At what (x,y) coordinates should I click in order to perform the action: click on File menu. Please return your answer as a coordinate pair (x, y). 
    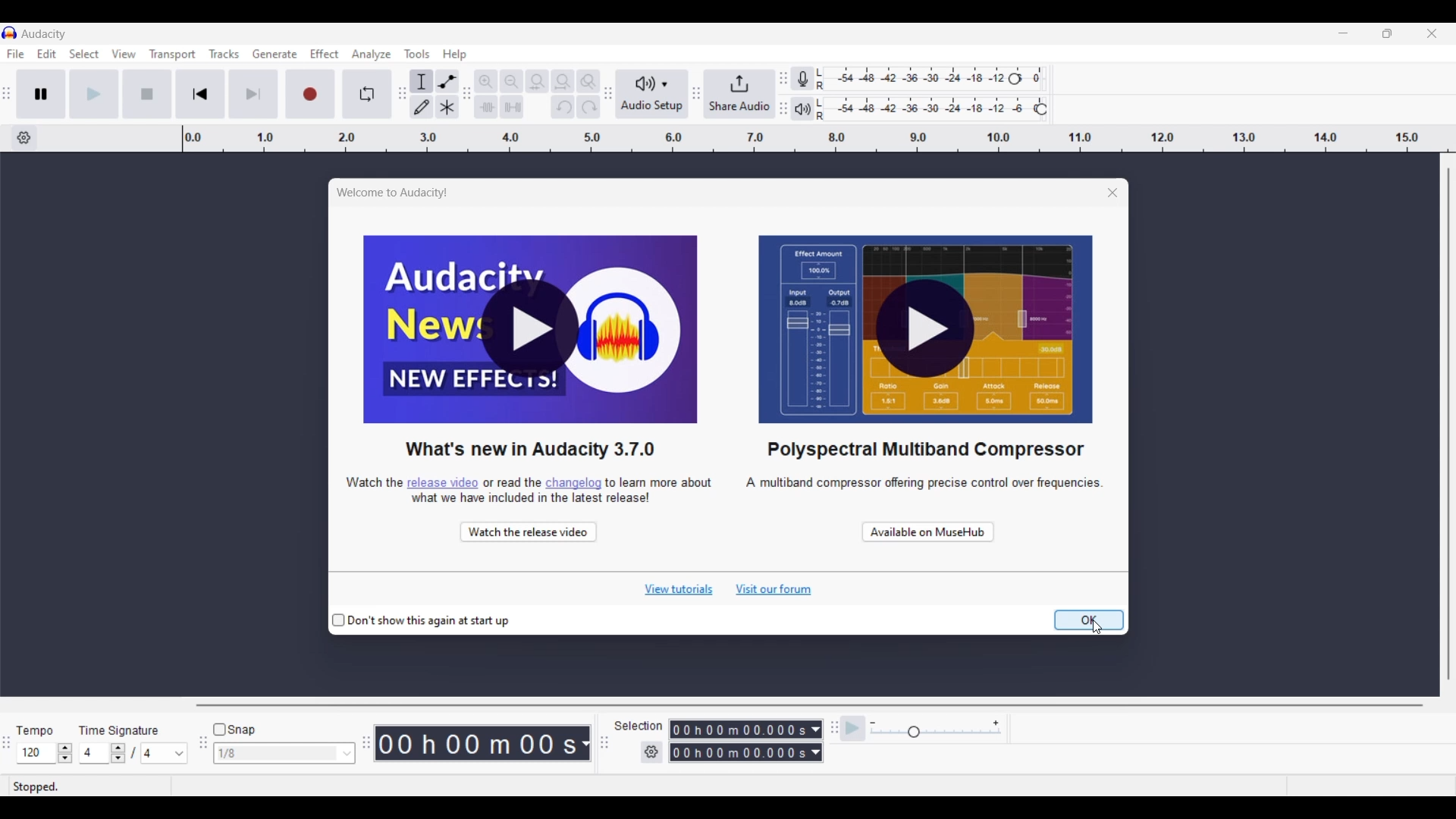
    Looking at the image, I should click on (15, 55).